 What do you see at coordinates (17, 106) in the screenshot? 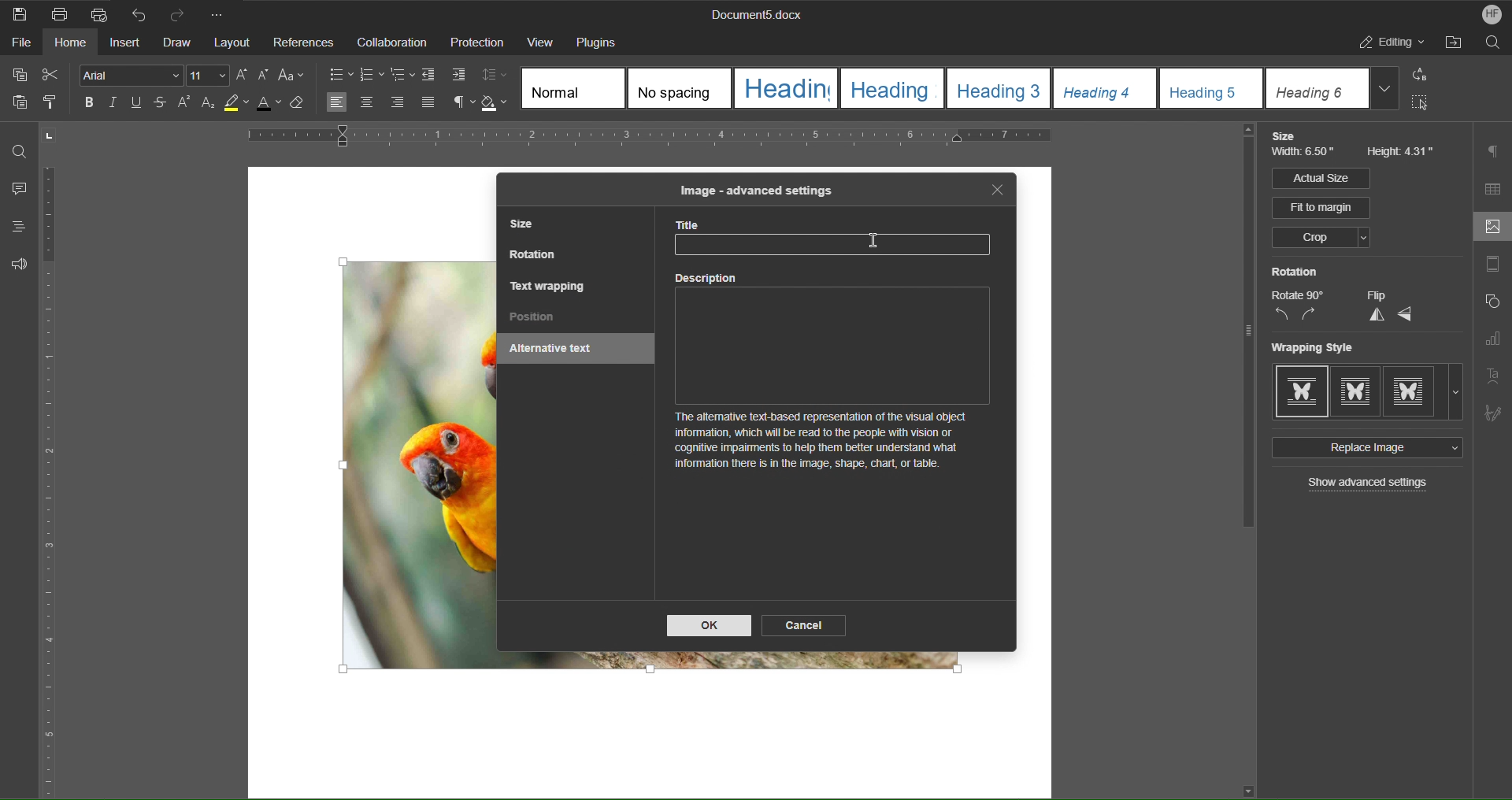
I see `Paste` at bounding box center [17, 106].